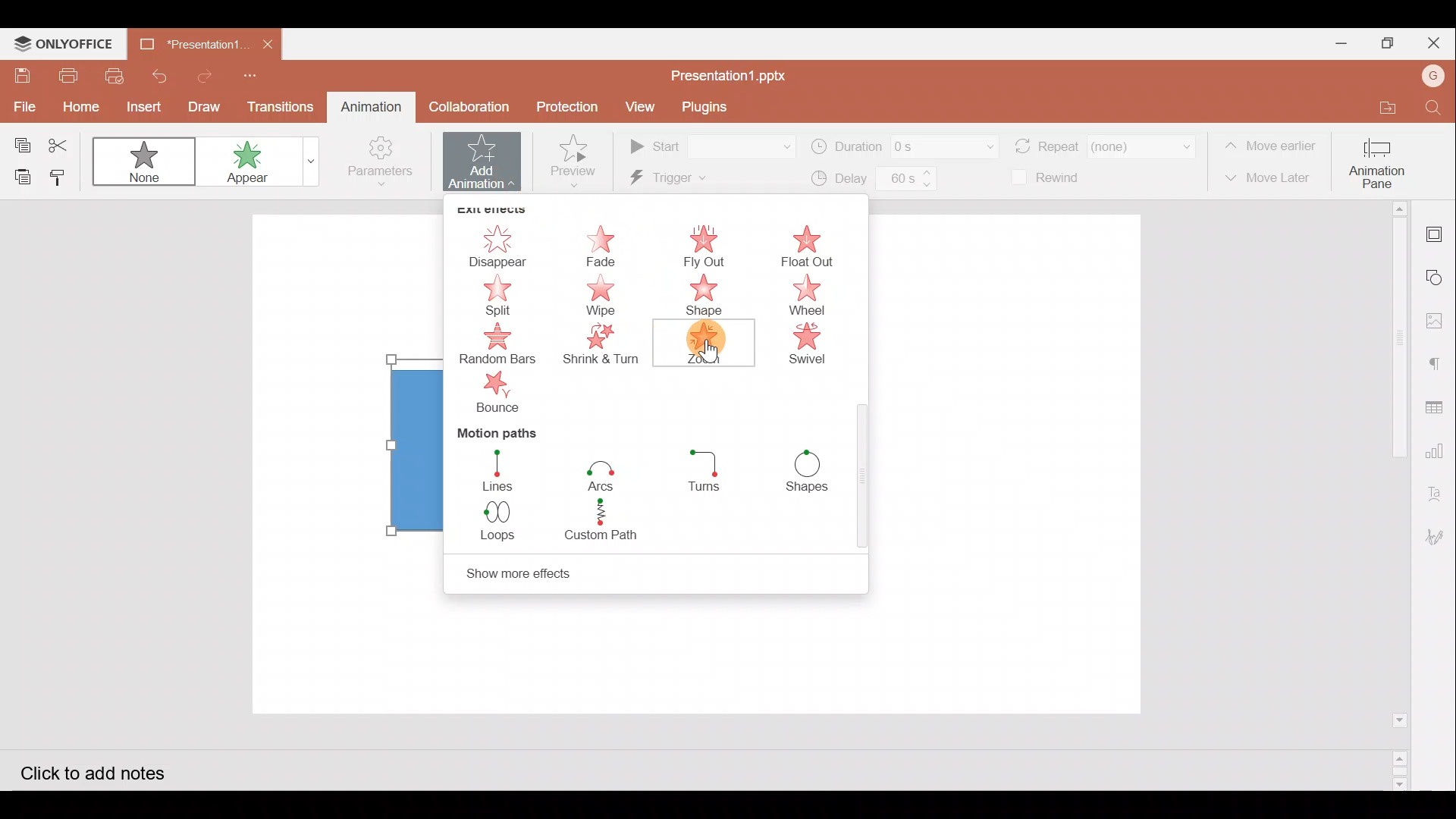  Describe the element at coordinates (605, 296) in the screenshot. I see `Wipe` at that location.